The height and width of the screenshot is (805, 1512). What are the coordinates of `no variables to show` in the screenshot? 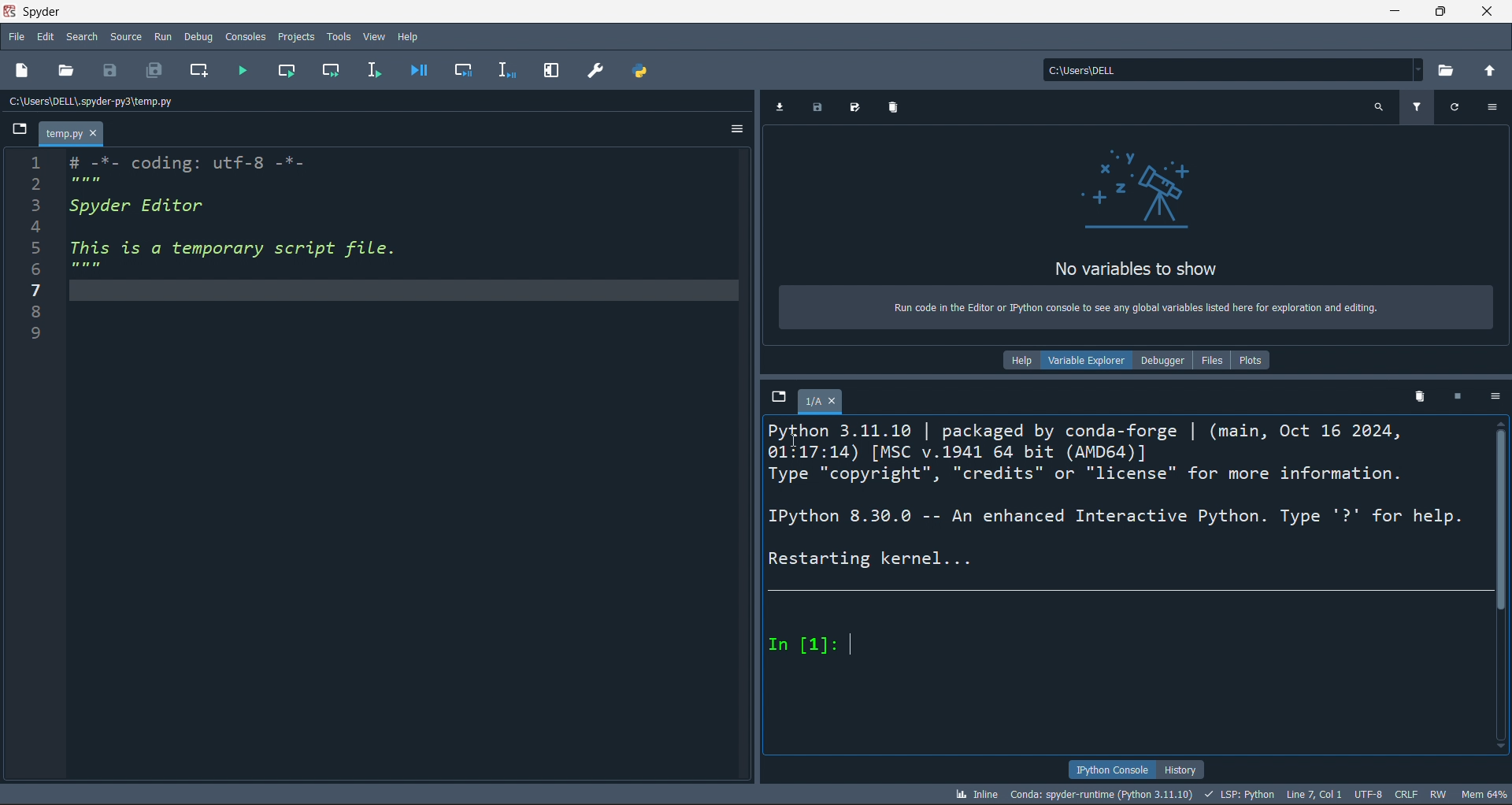 It's located at (1135, 264).